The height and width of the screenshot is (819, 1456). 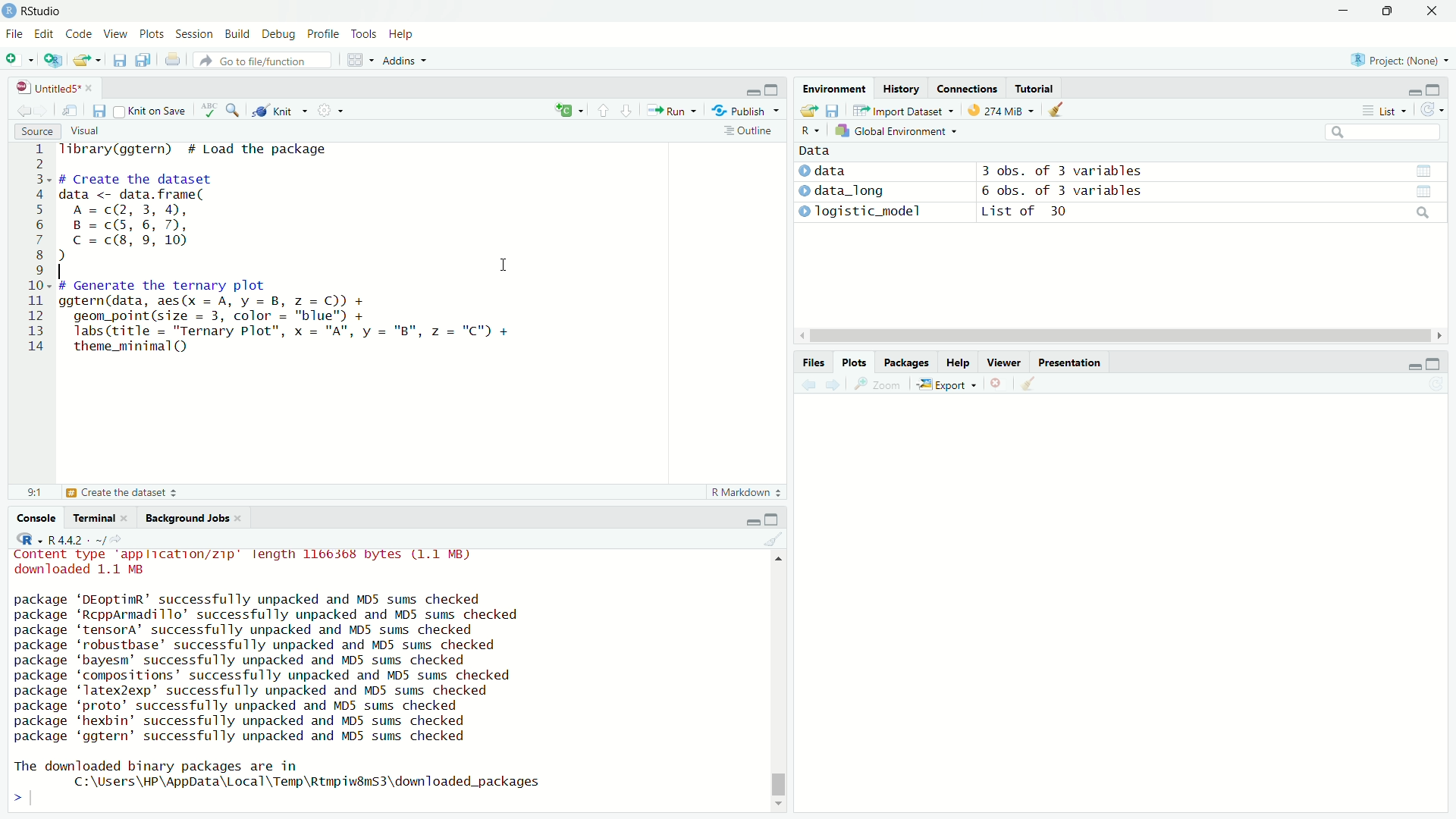 I want to click on | Project: (None), so click(x=1392, y=60).